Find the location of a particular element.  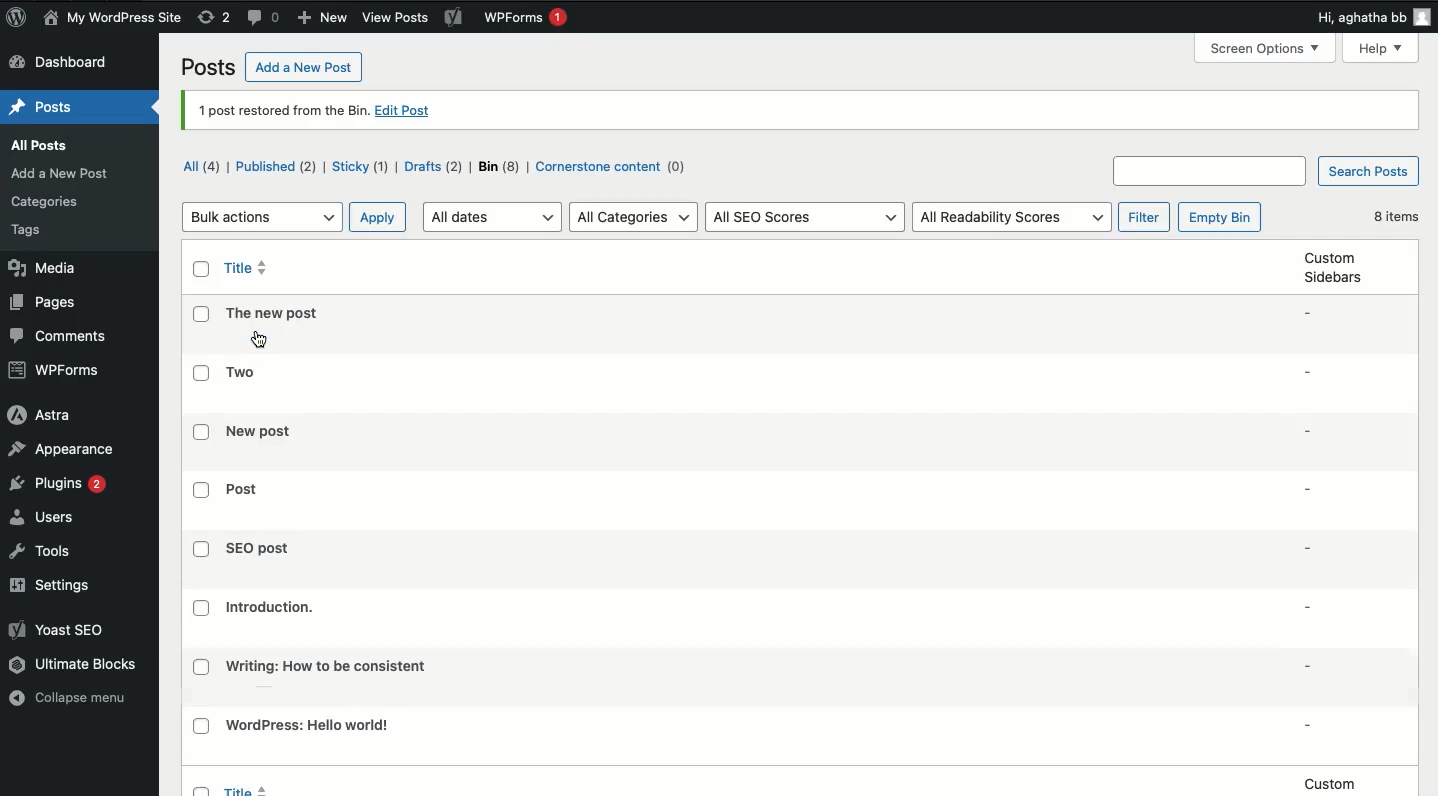

all posts is located at coordinates (41, 146).